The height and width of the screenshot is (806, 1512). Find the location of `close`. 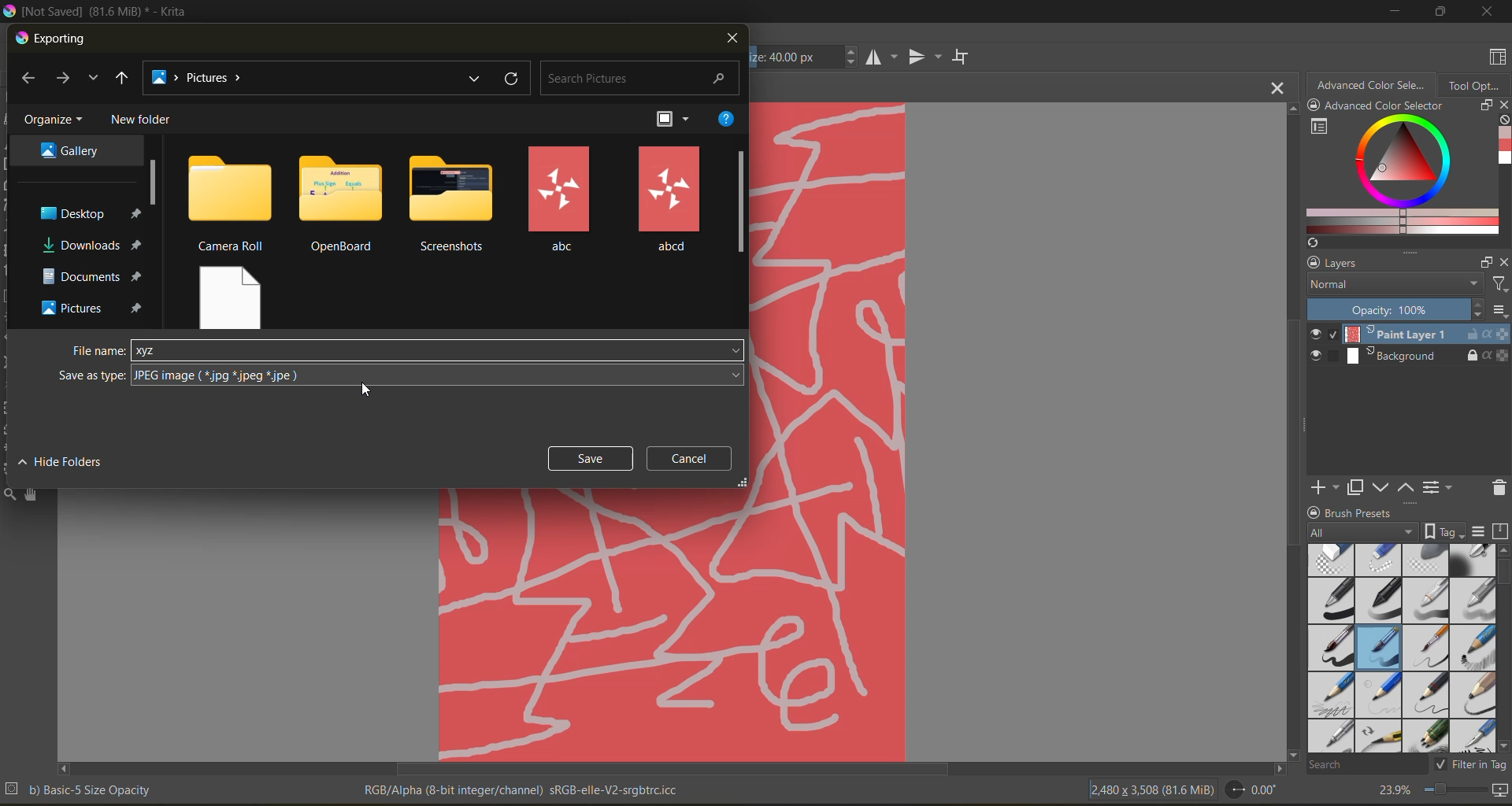

close is located at coordinates (731, 39).